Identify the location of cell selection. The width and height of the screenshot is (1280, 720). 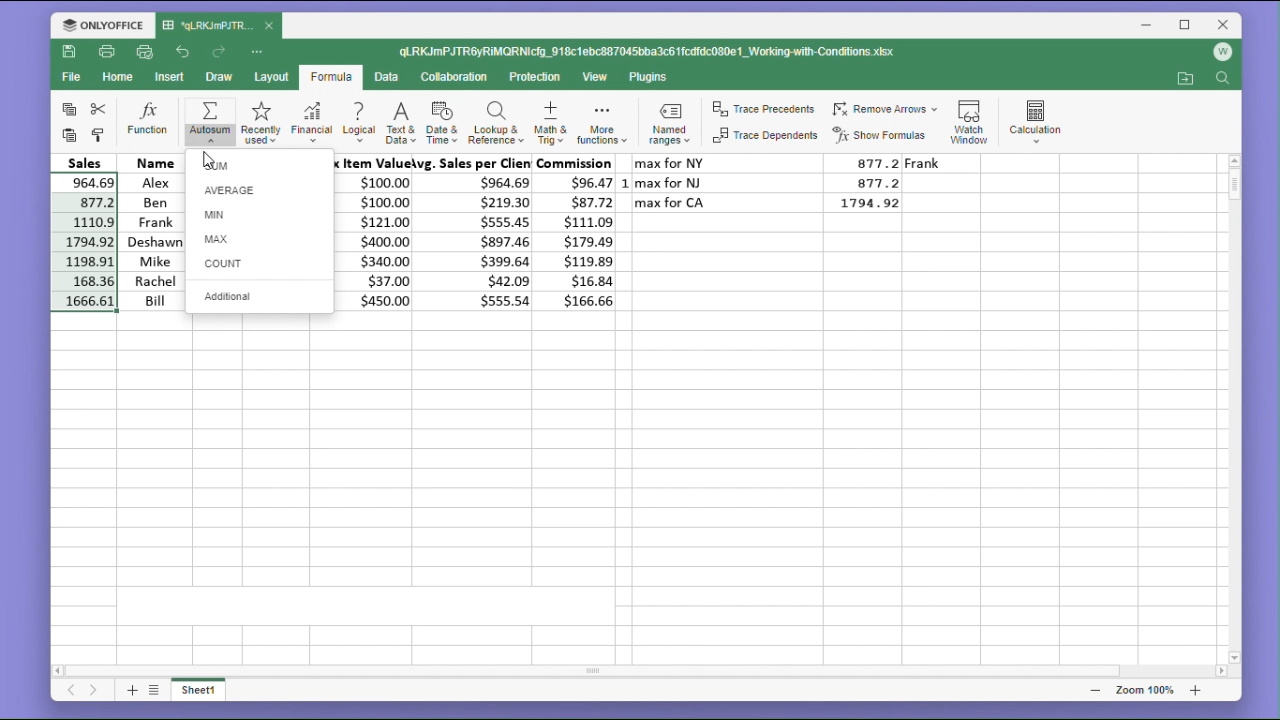
(84, 243).